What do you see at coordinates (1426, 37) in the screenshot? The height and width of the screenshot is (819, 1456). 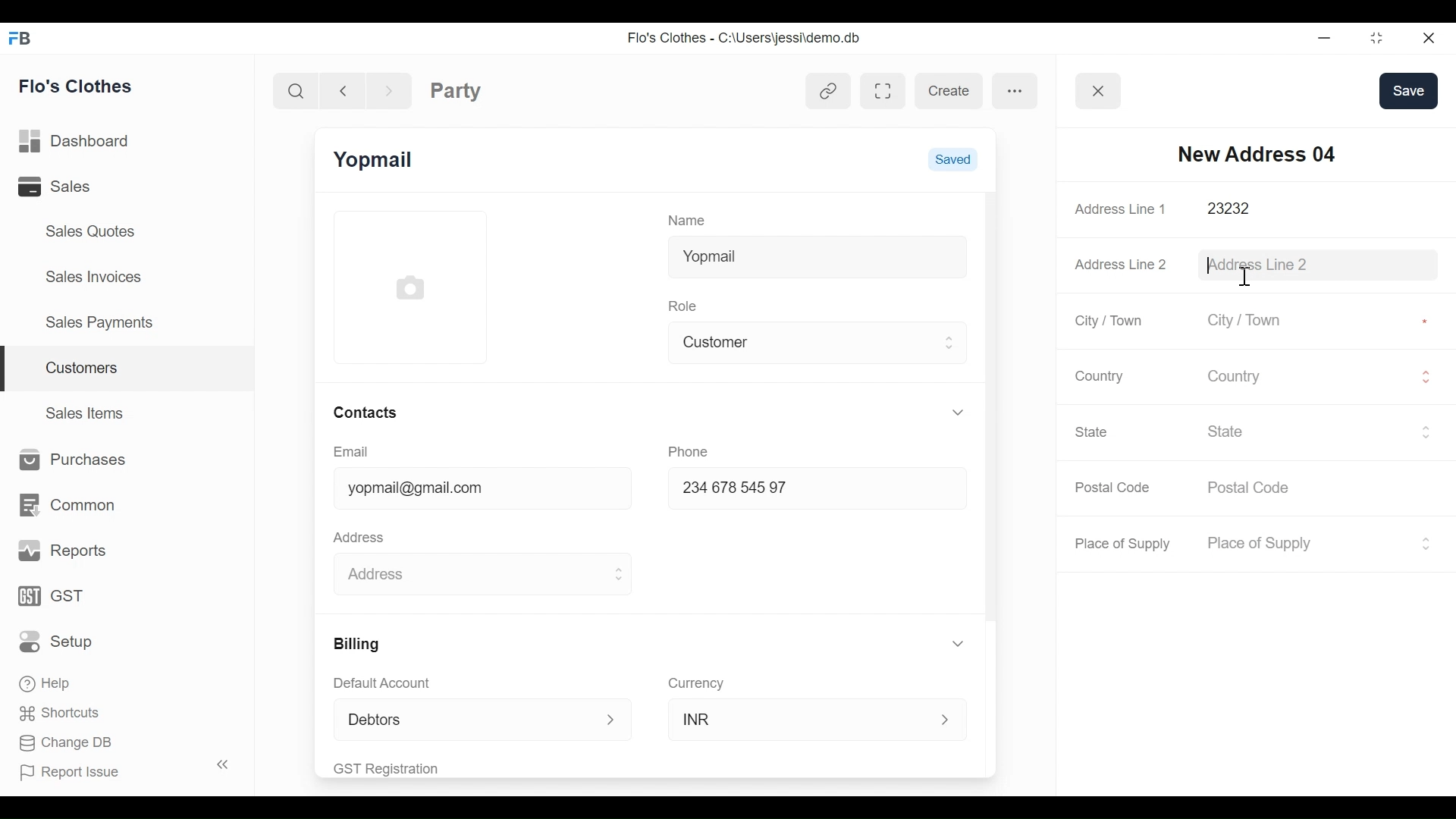 I see `Close` at bounding box center [1426, 37].